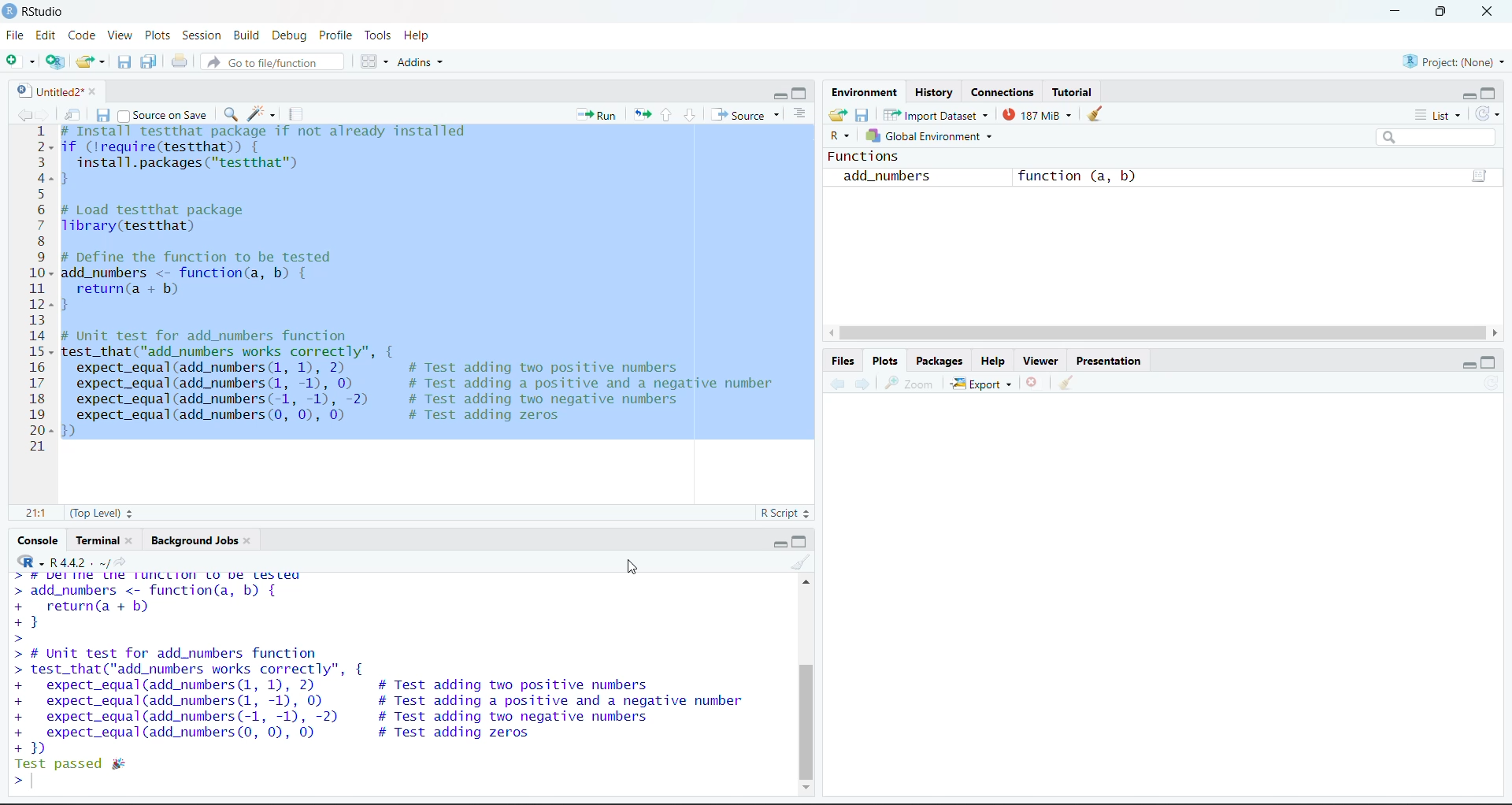 The width and height of the screenshot is (1512, 805). What do you see at coordinates (1444, 12) in the screenshot?
I see `maximize` at bounding box center [1444, 12].